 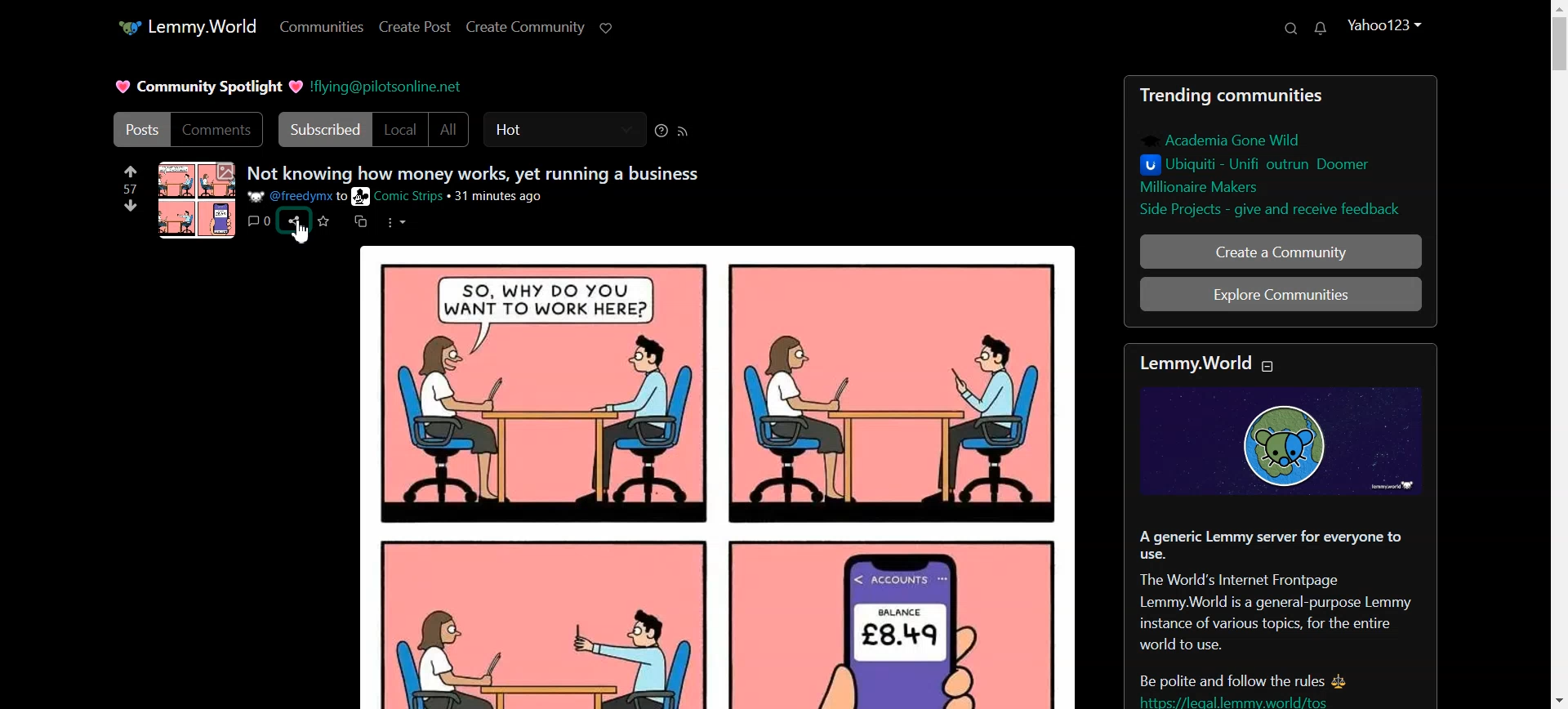 I want to click on Vertical scroll bar, so click(x=1558, y=354).